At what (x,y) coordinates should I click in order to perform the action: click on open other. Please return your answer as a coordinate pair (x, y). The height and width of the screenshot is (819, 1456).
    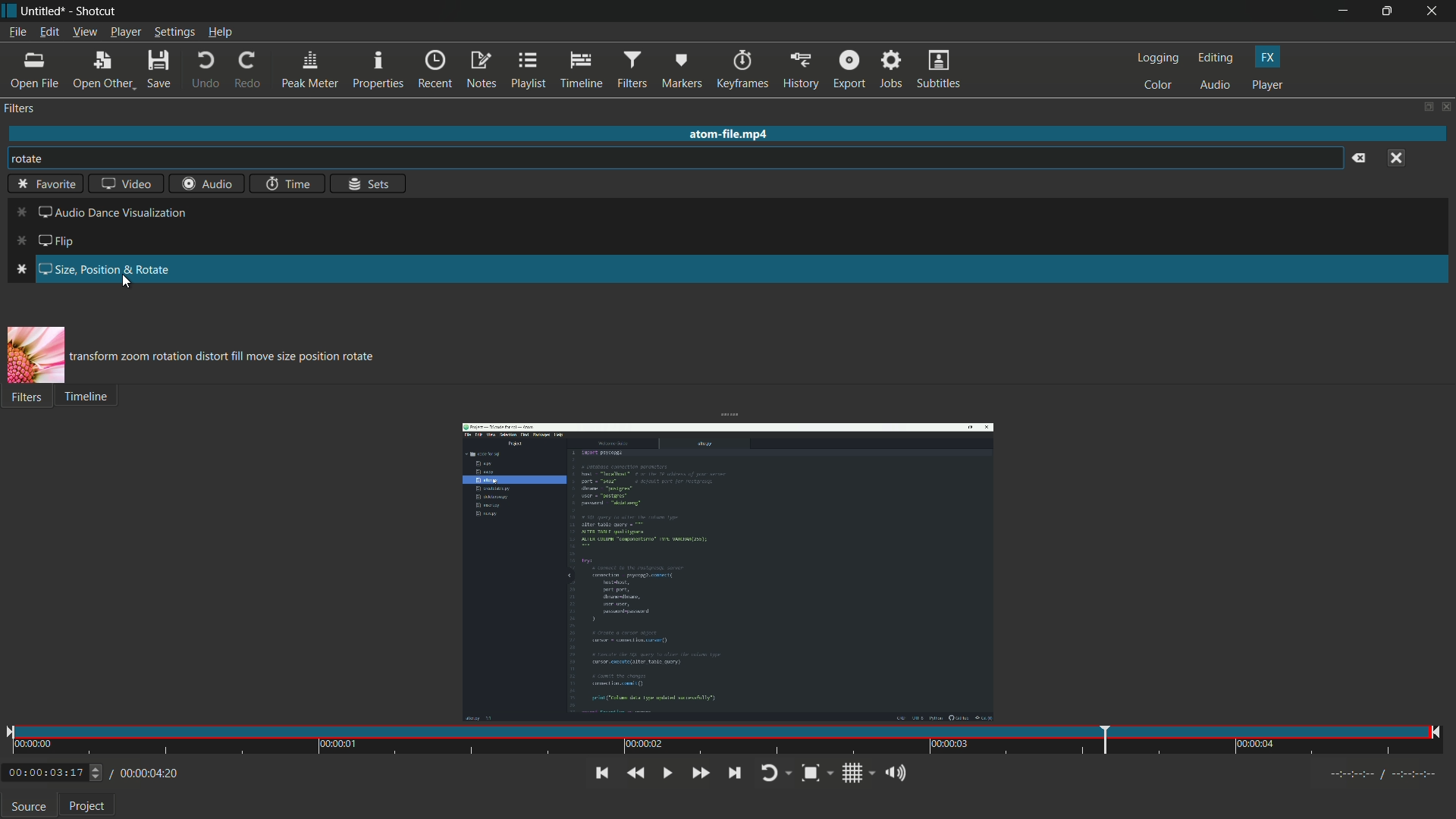
    Looking at the image, I should click on (99, 71).